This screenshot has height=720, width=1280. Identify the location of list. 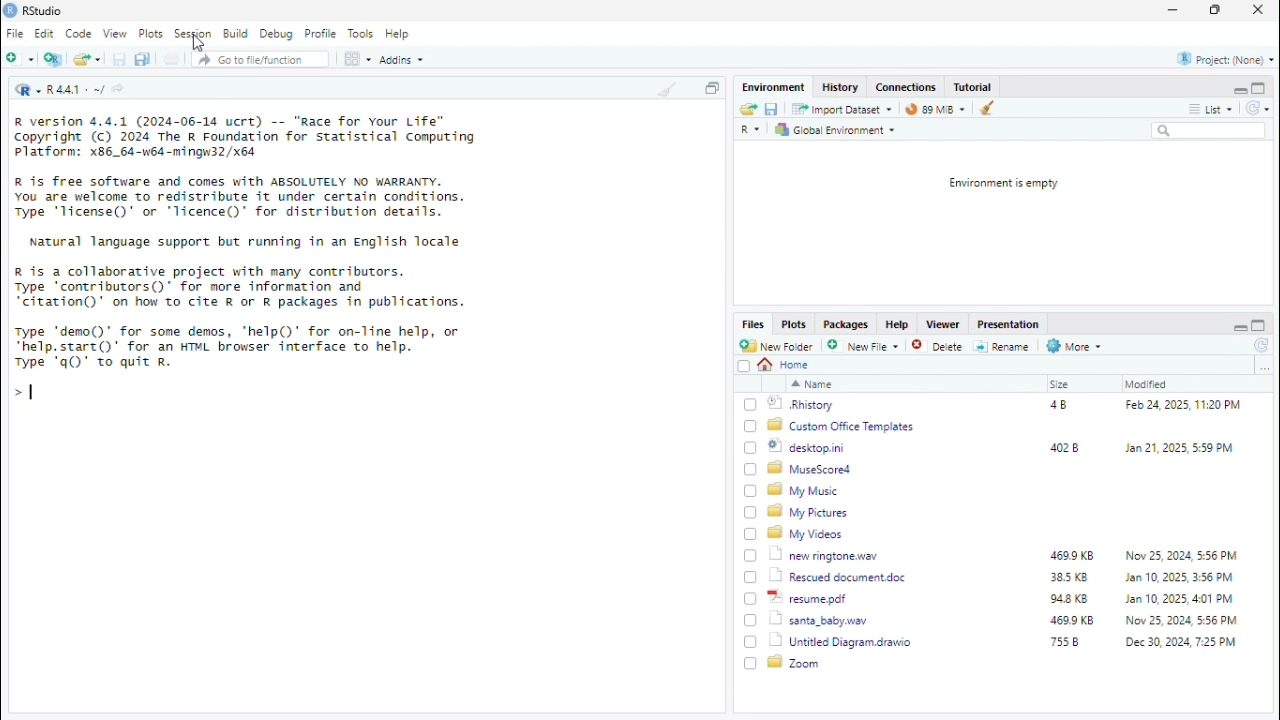
(1222, 108).